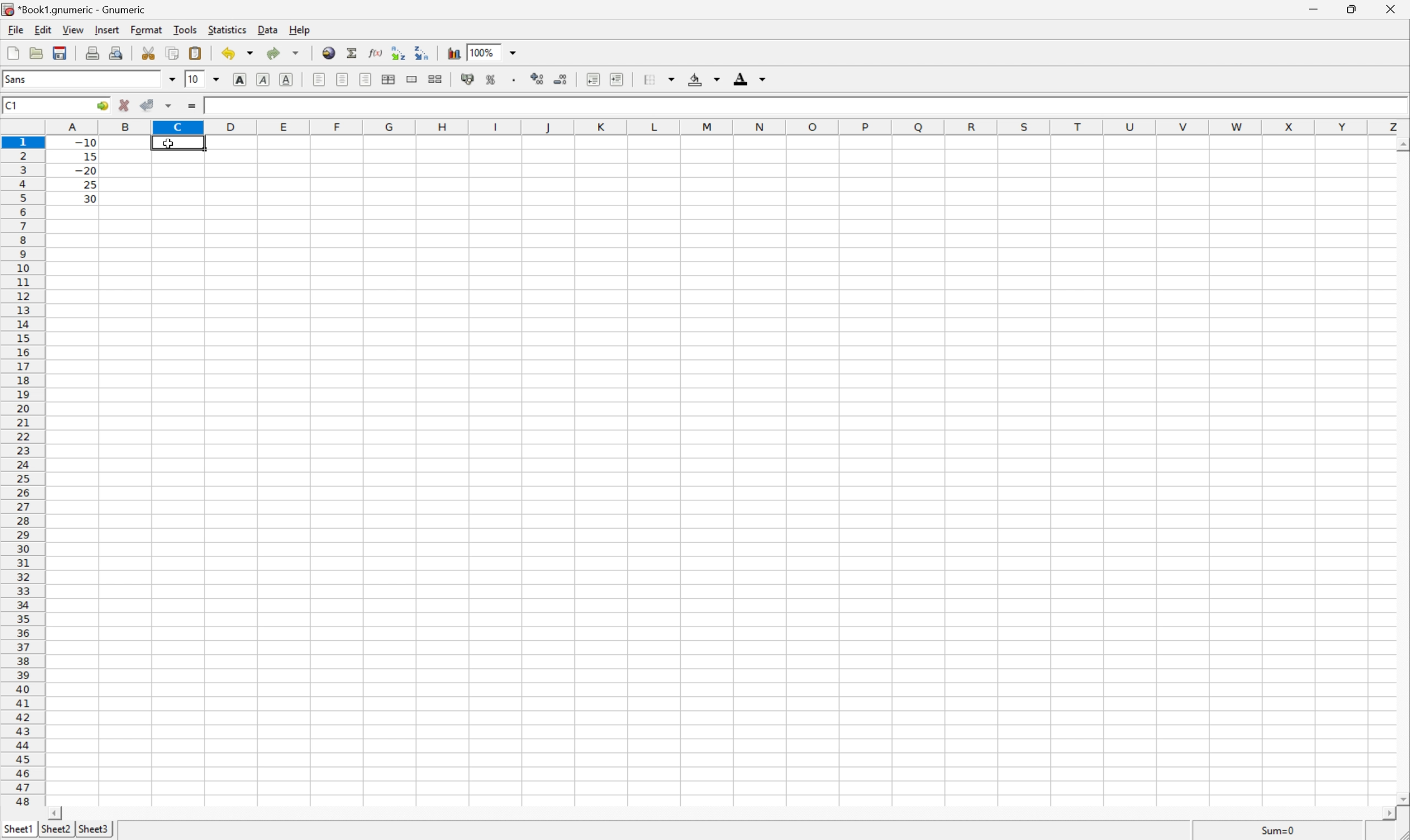 This screenshot has width=1410, height=840. I want to click on Drop Down, so click(171, 79).